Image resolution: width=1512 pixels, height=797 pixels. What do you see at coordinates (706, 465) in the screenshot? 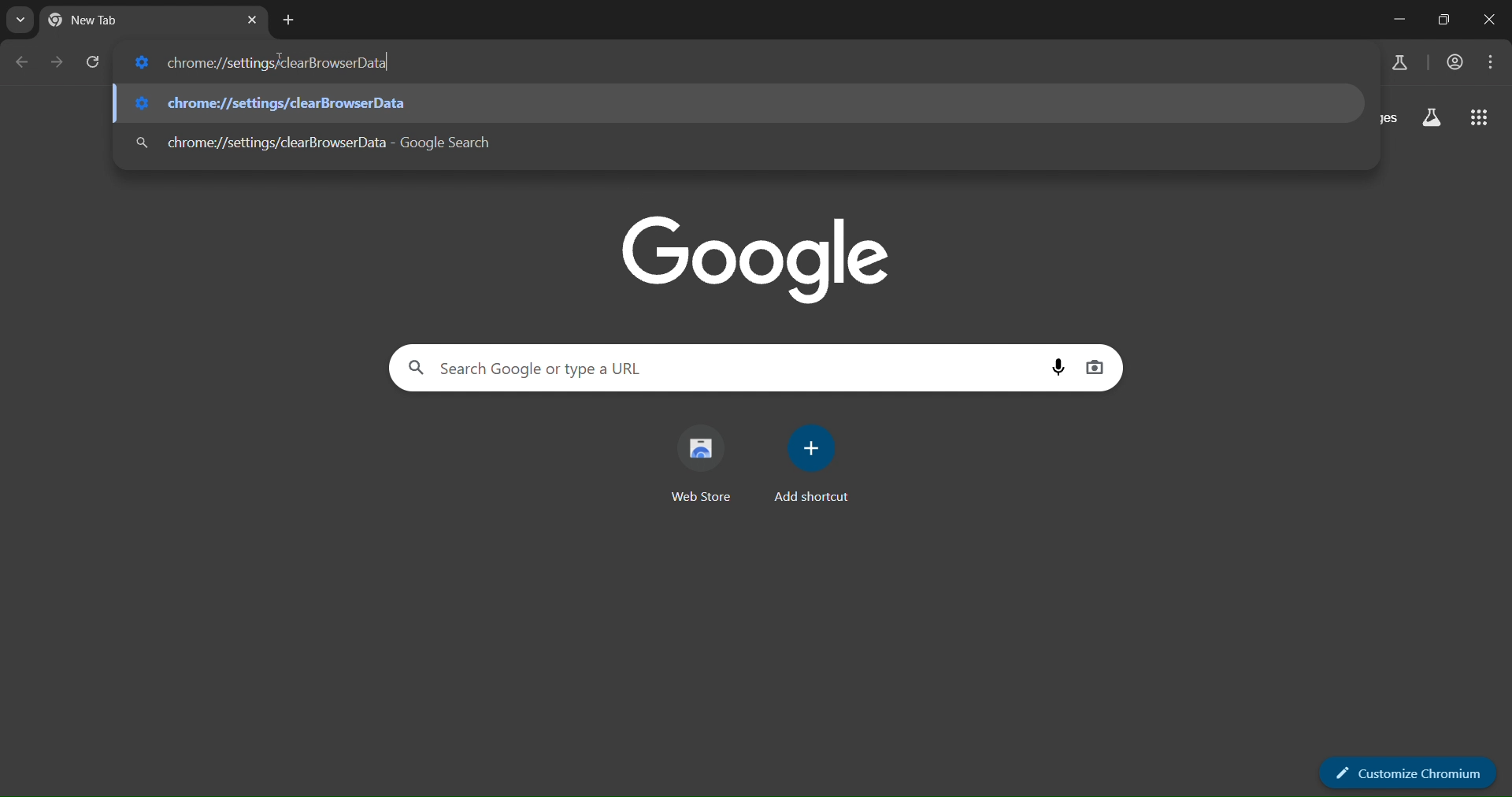
I see `web store` at bounding box center [706, 465].